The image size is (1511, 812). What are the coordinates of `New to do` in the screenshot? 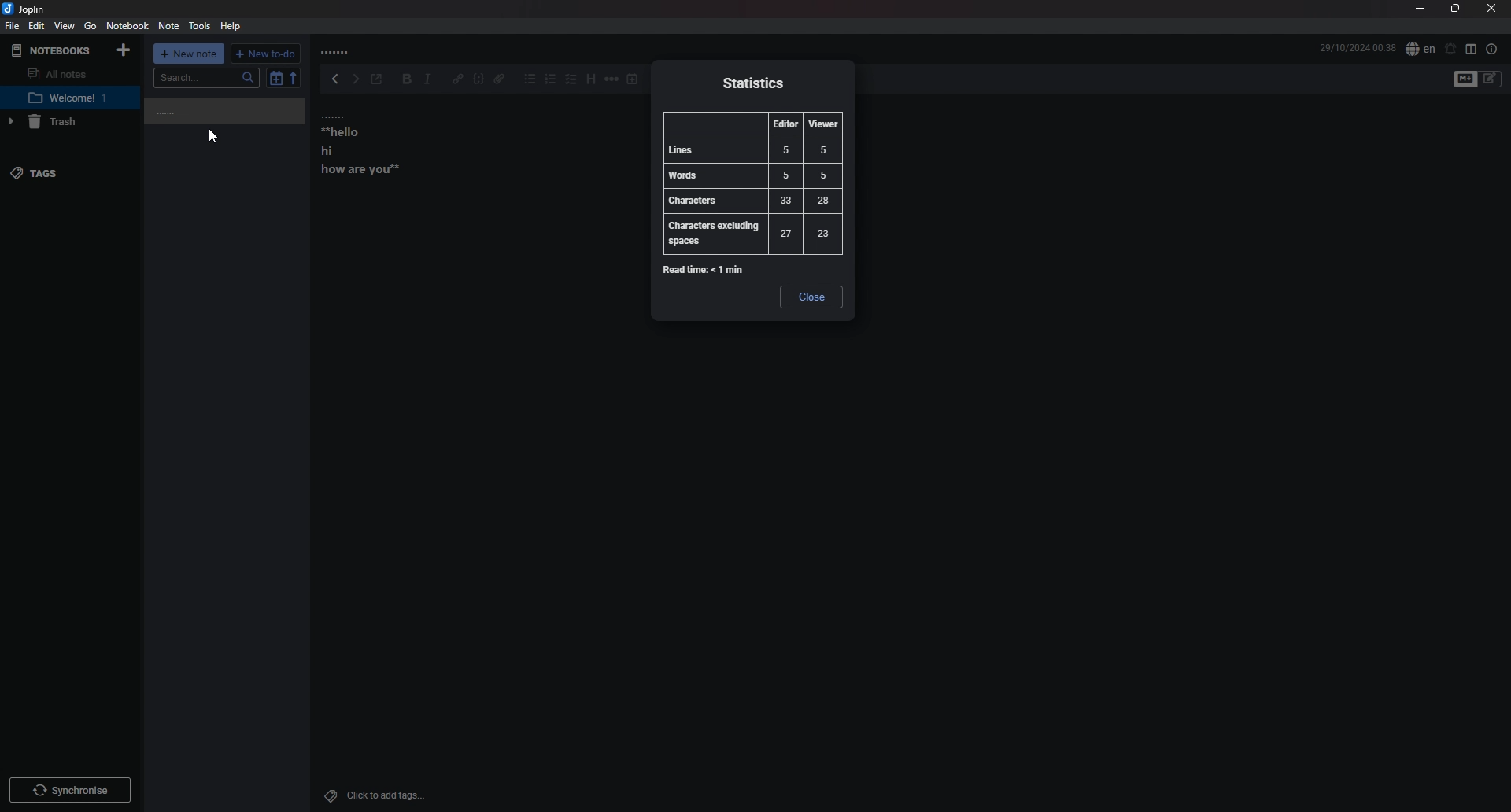 It's located at (264, 54).